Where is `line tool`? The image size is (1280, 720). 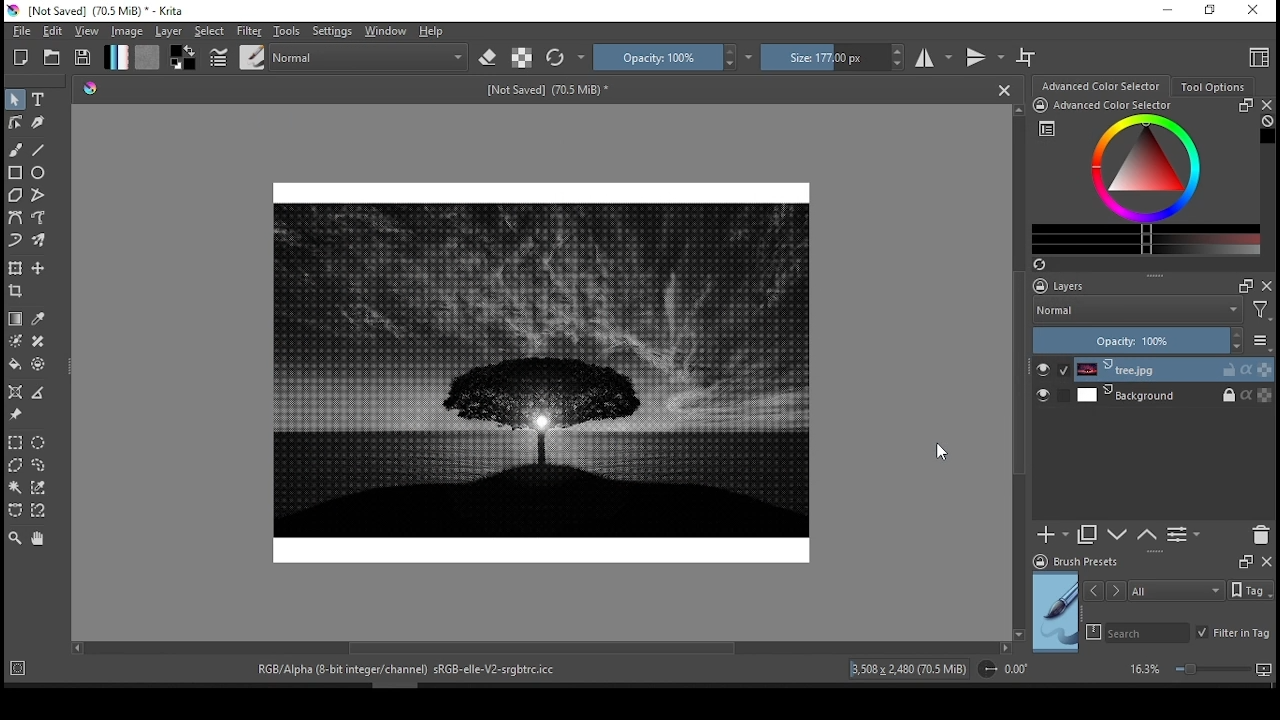
line tool is located at coordinates (39, 149).